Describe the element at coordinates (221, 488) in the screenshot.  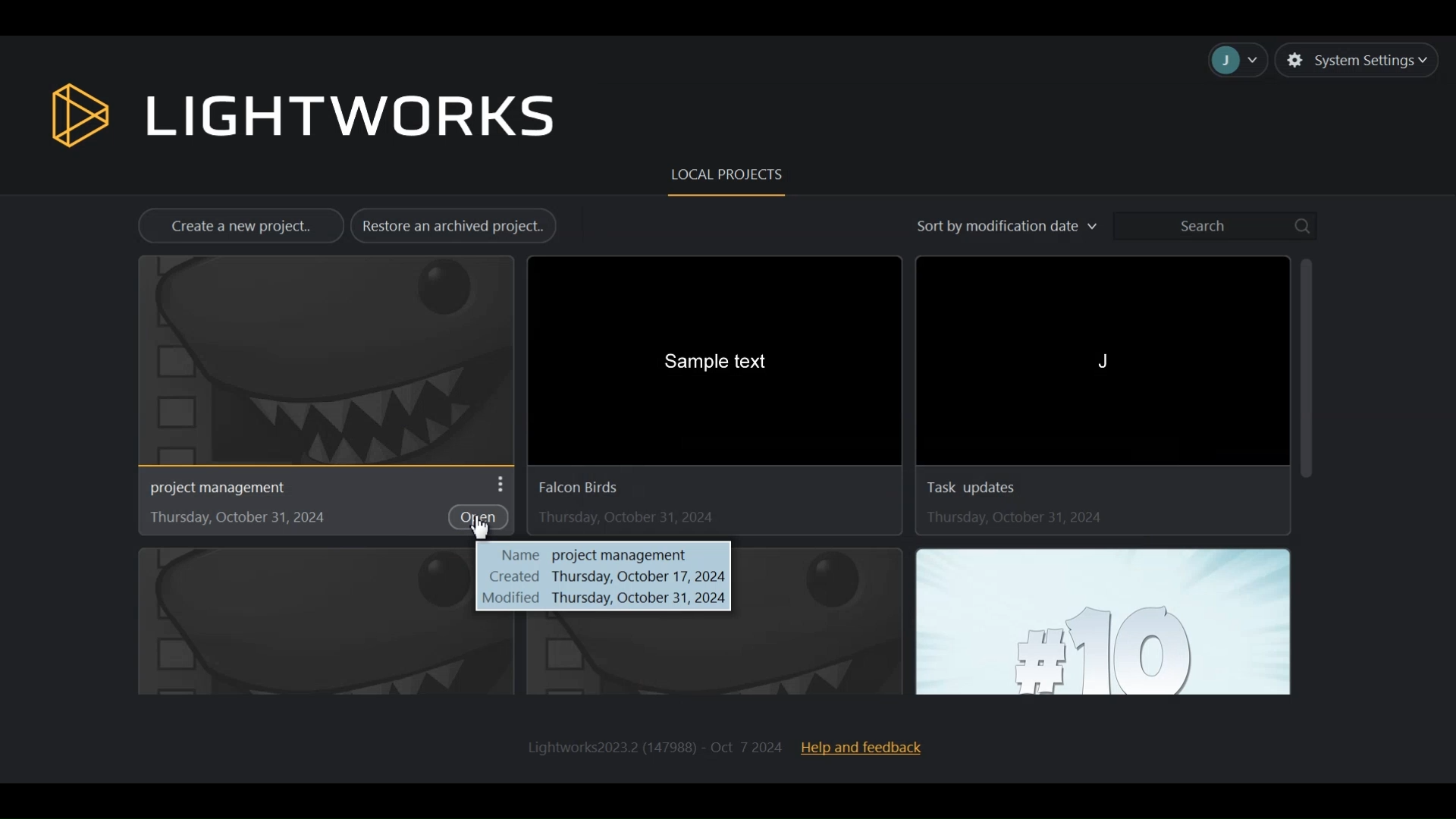
I see `Project Management` at that location.